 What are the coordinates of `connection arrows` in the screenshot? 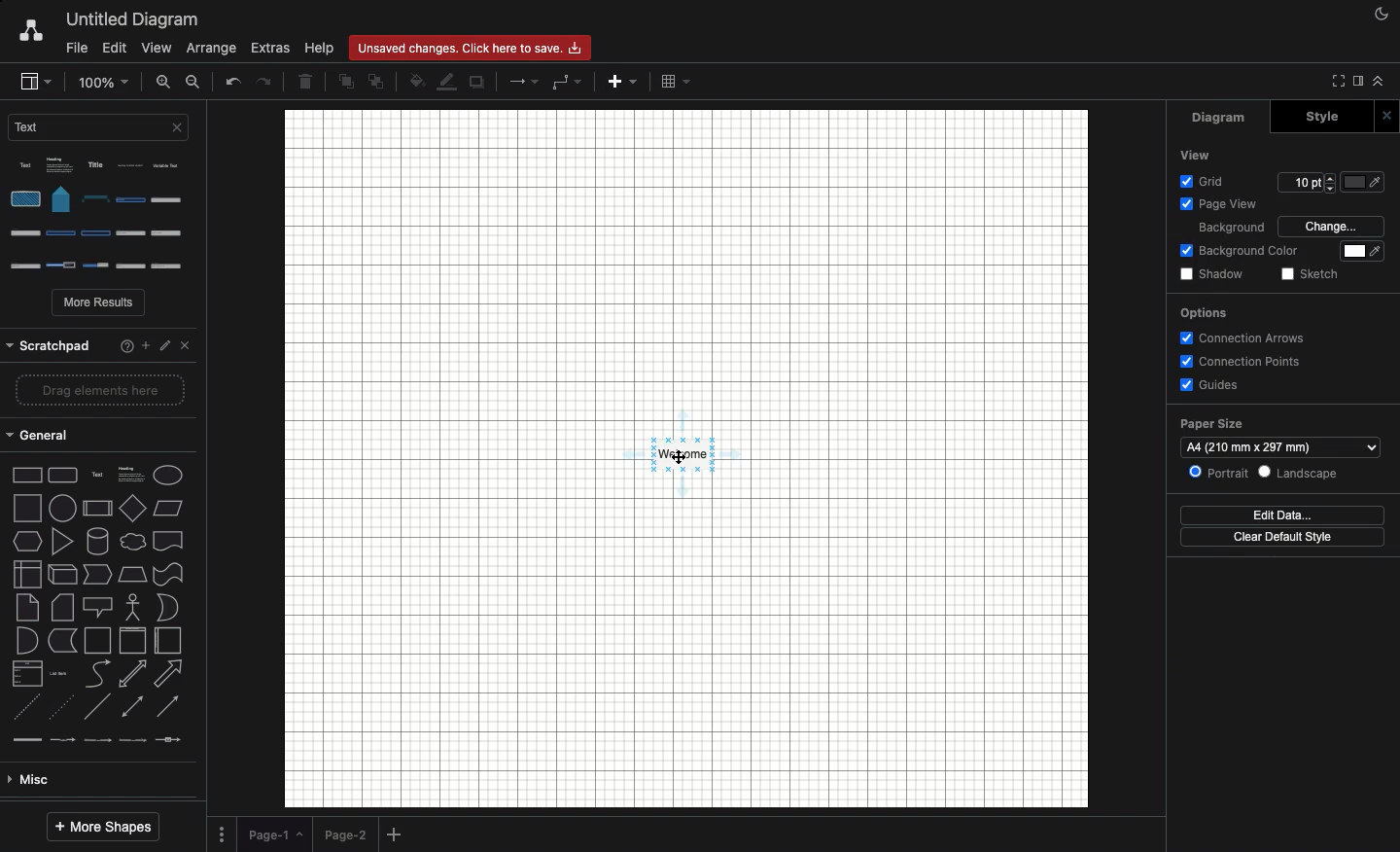 It's located at (1243, 336).